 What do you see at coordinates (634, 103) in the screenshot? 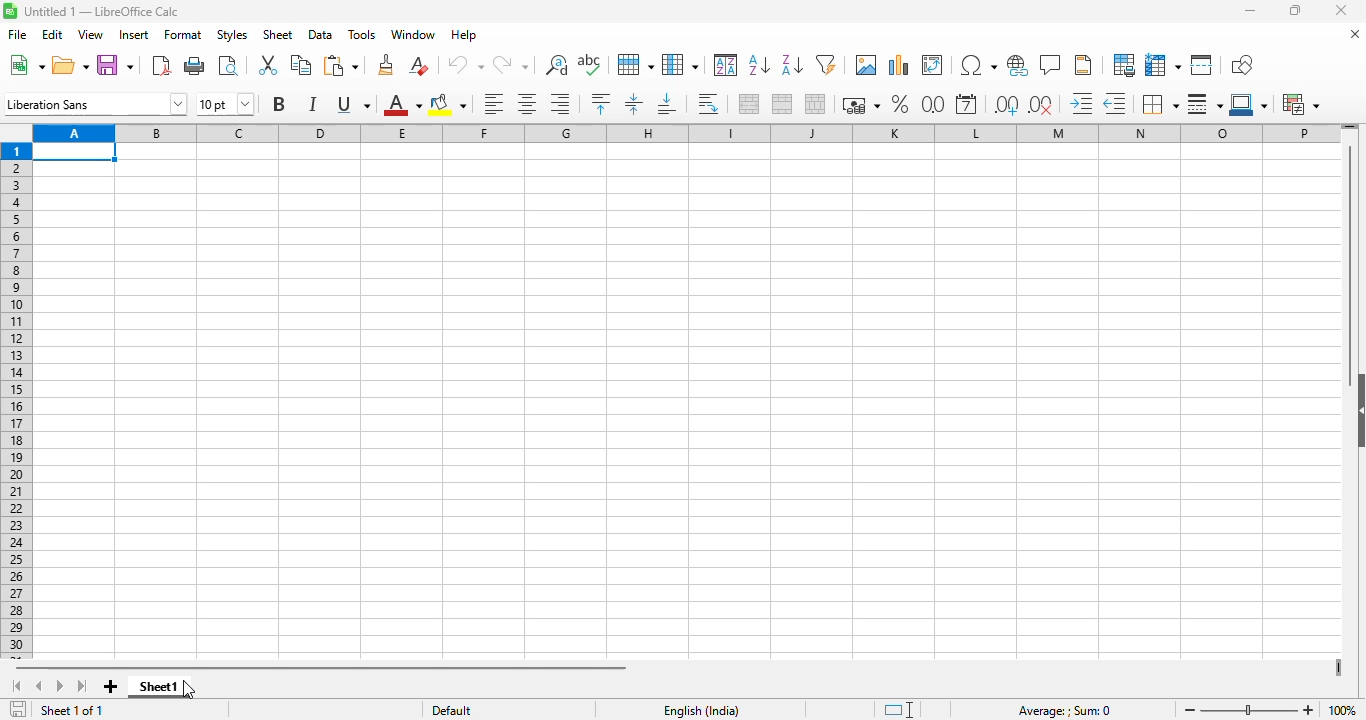
I see `center vertically` at bounding box center [634, 103].